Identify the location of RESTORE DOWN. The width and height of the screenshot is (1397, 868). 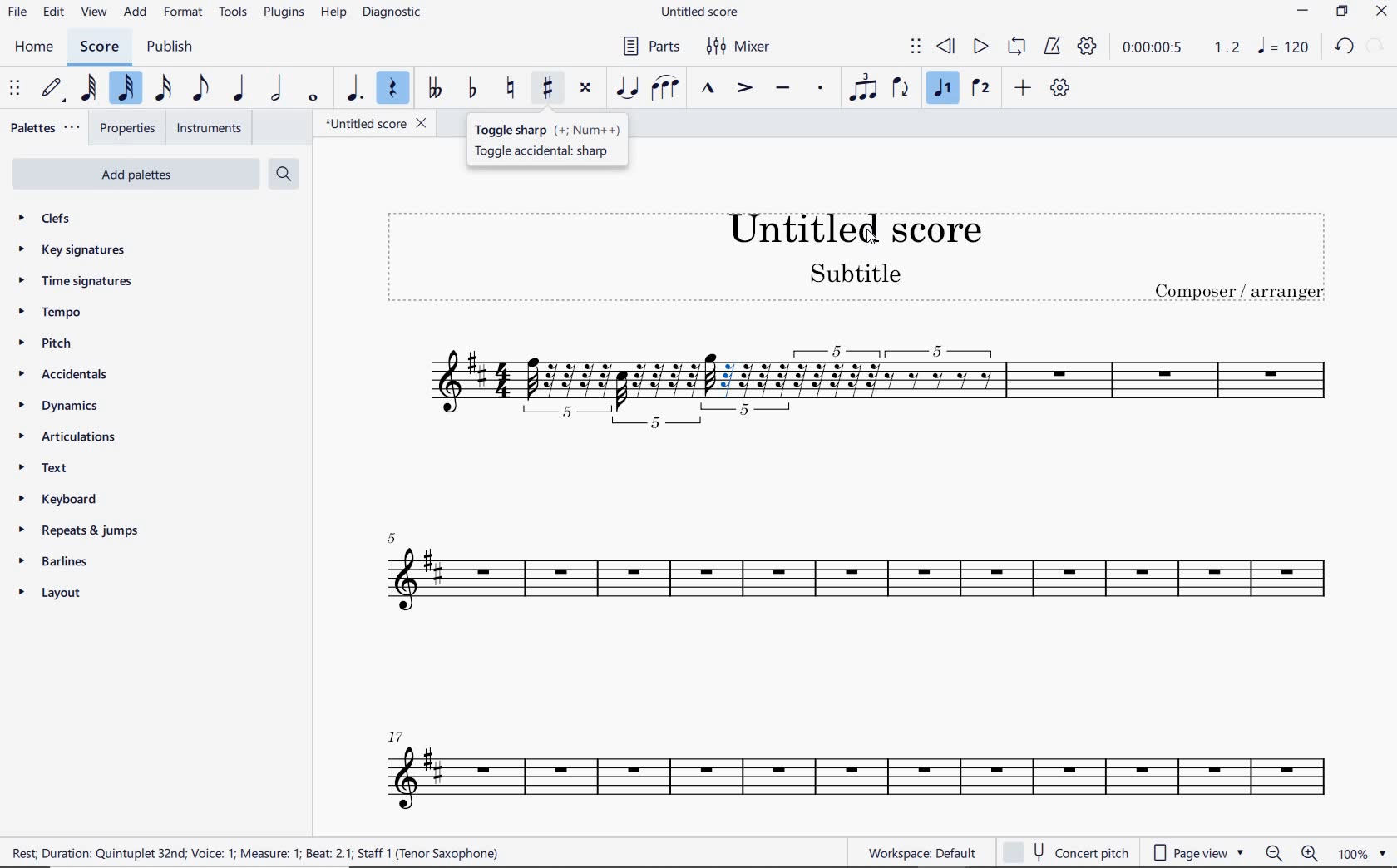
(1342, 12).